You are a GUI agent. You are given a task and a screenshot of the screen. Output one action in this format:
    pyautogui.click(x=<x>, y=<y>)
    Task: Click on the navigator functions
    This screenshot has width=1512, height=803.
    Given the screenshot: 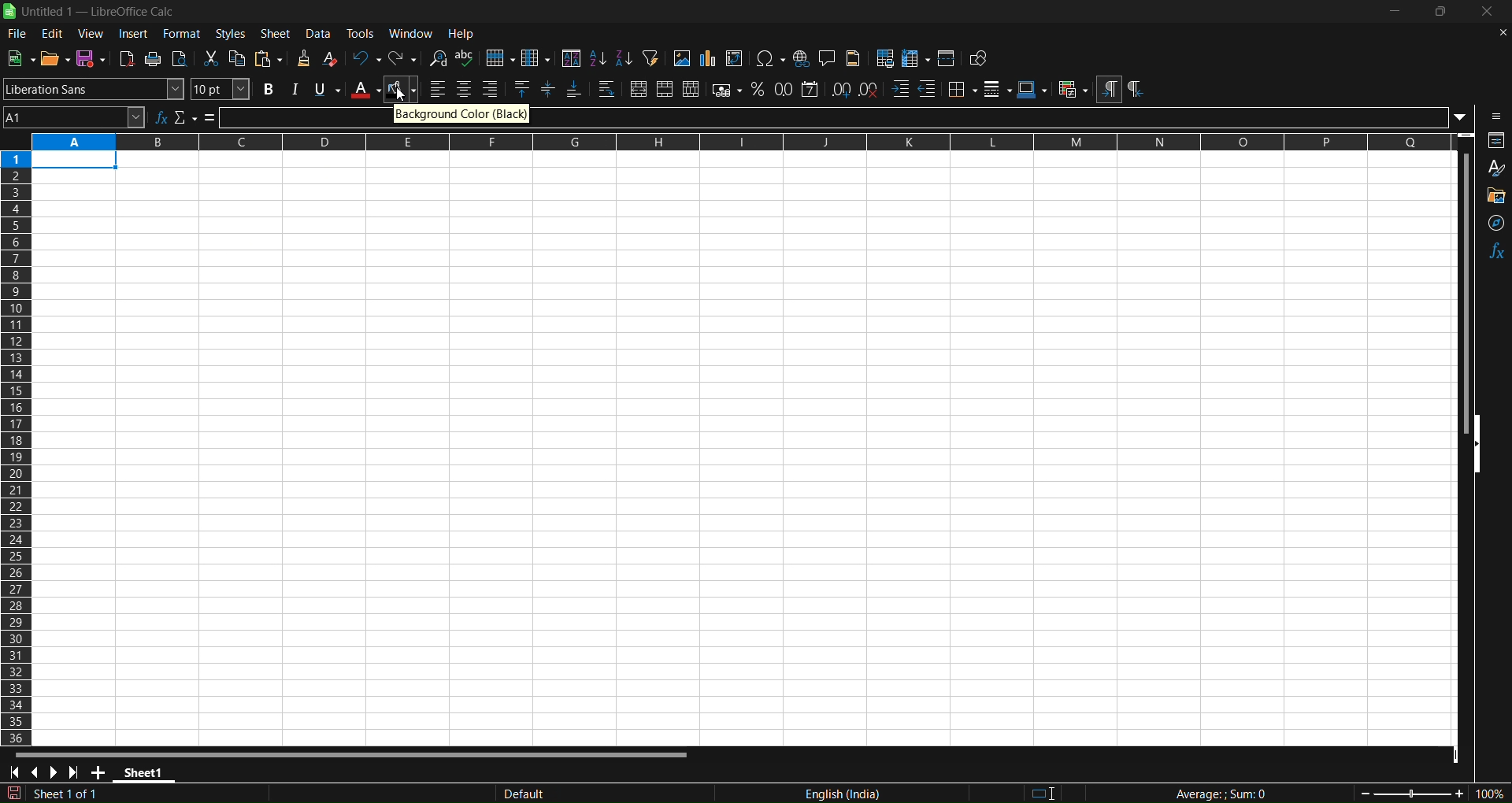 What is the action you would take?
    pyautogui.click(x=1494, y=219)
    